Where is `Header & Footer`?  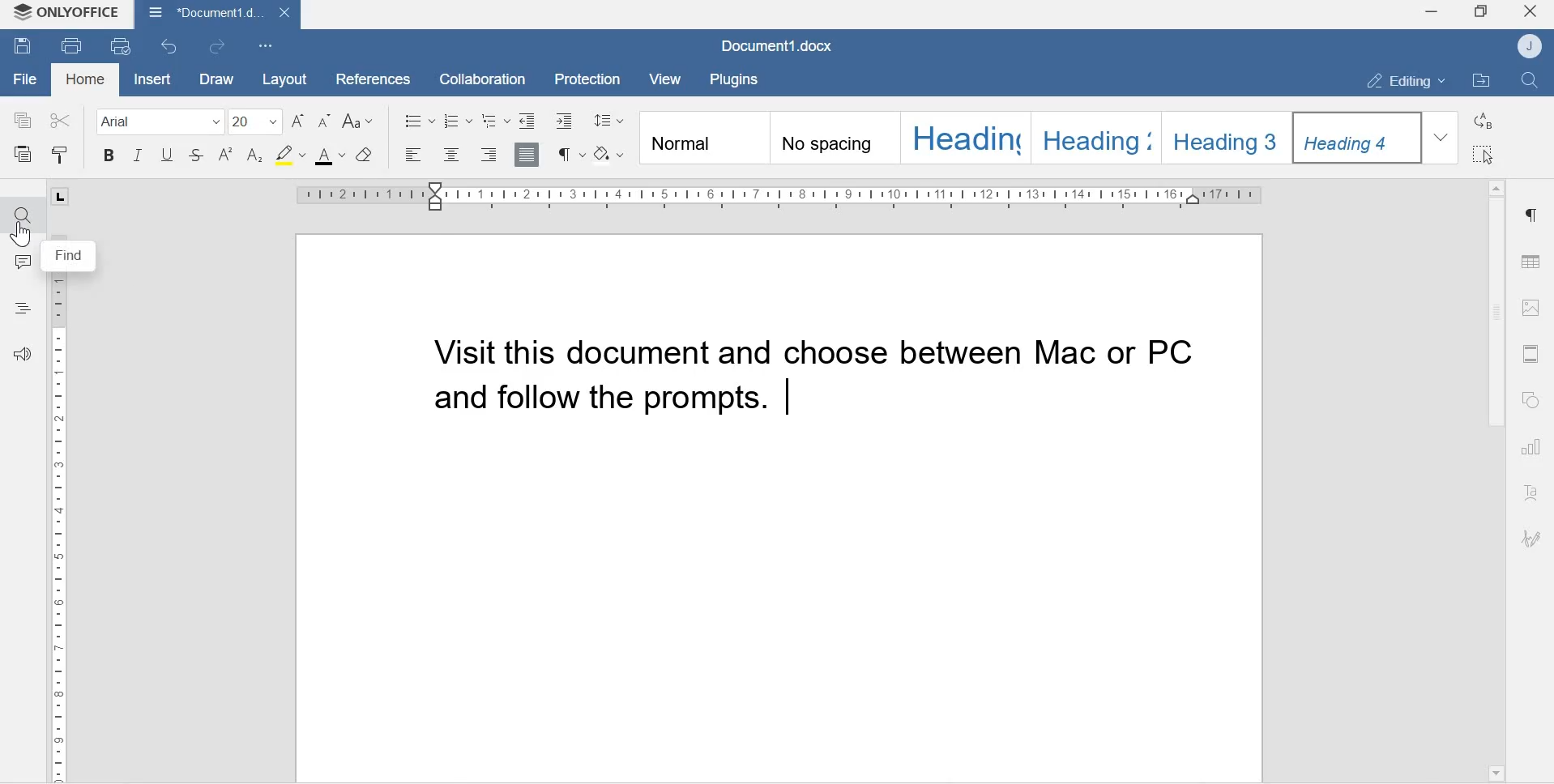
Header & Footer is located at coordinates (1531, 353).